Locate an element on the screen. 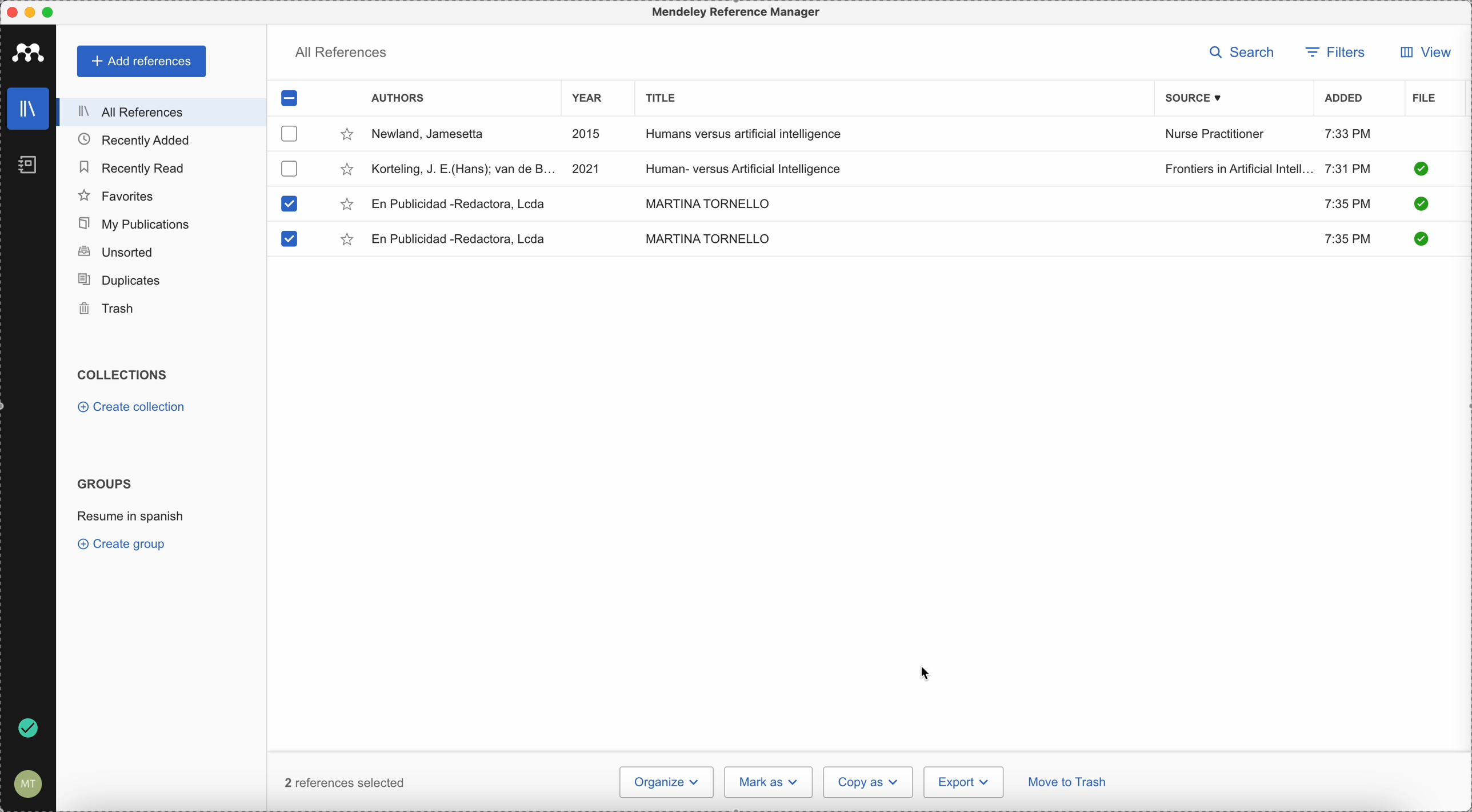 Image resolution: width=1472 pixels, height=812 pixels. Nurse Practitioner is located at coordinates (1217, 134).